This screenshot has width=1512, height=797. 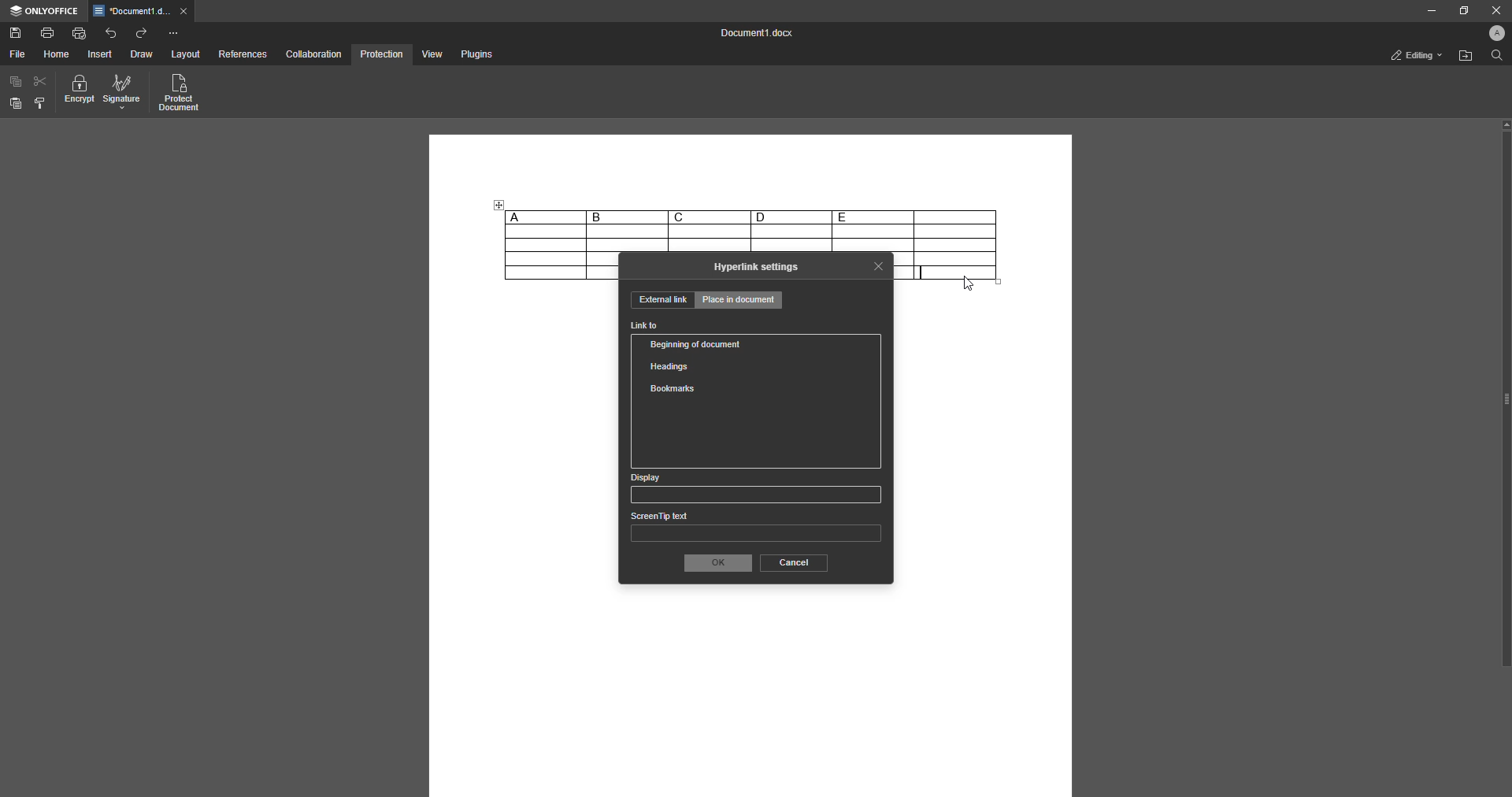 What do you see at coordinates (873, 217) in the screenshot?
I see `E` at bounding box center [873, 217].